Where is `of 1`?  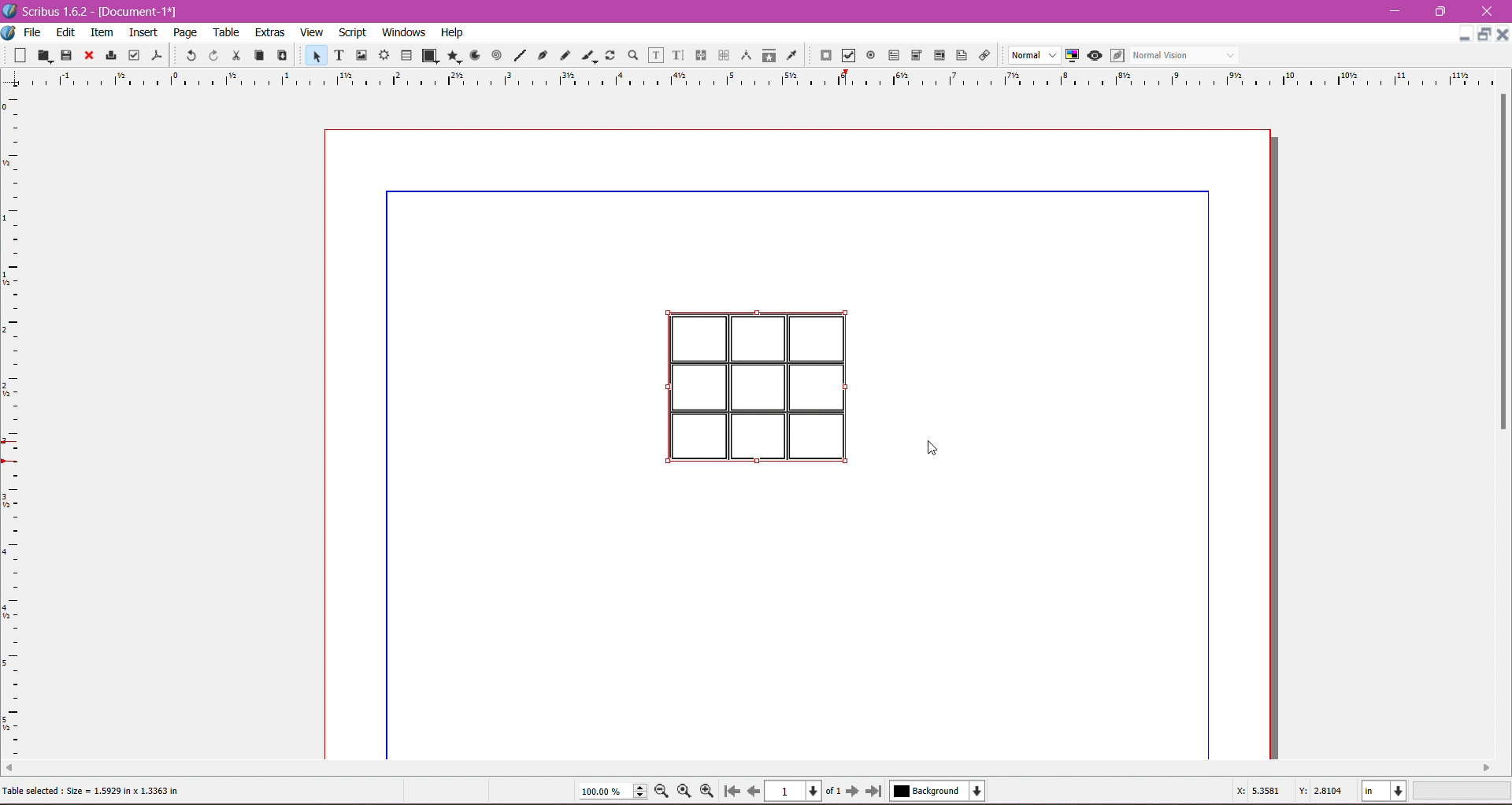 of 1 is located at coordinates (832, 789).